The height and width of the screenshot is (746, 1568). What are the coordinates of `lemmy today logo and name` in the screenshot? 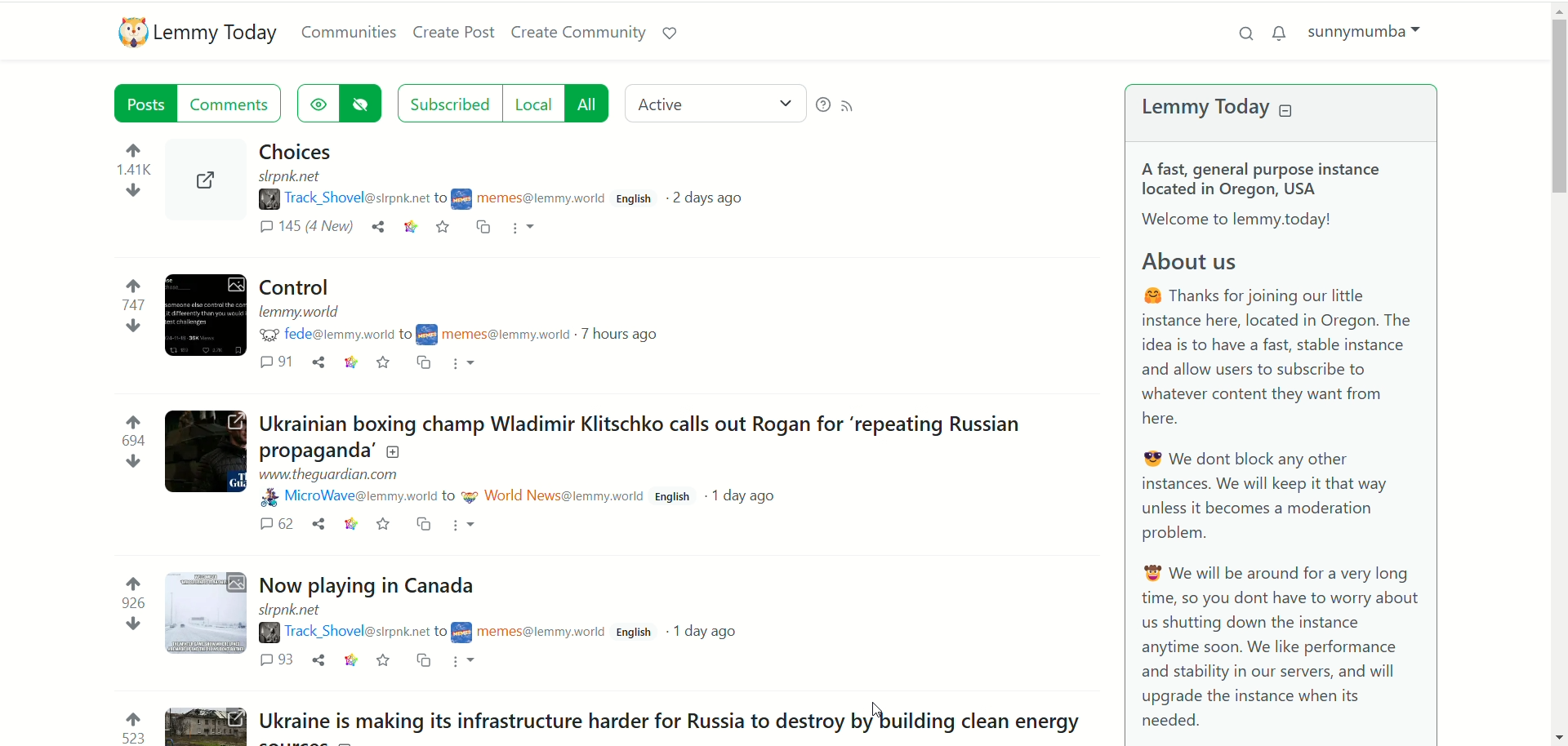 It's located at (194, 33).